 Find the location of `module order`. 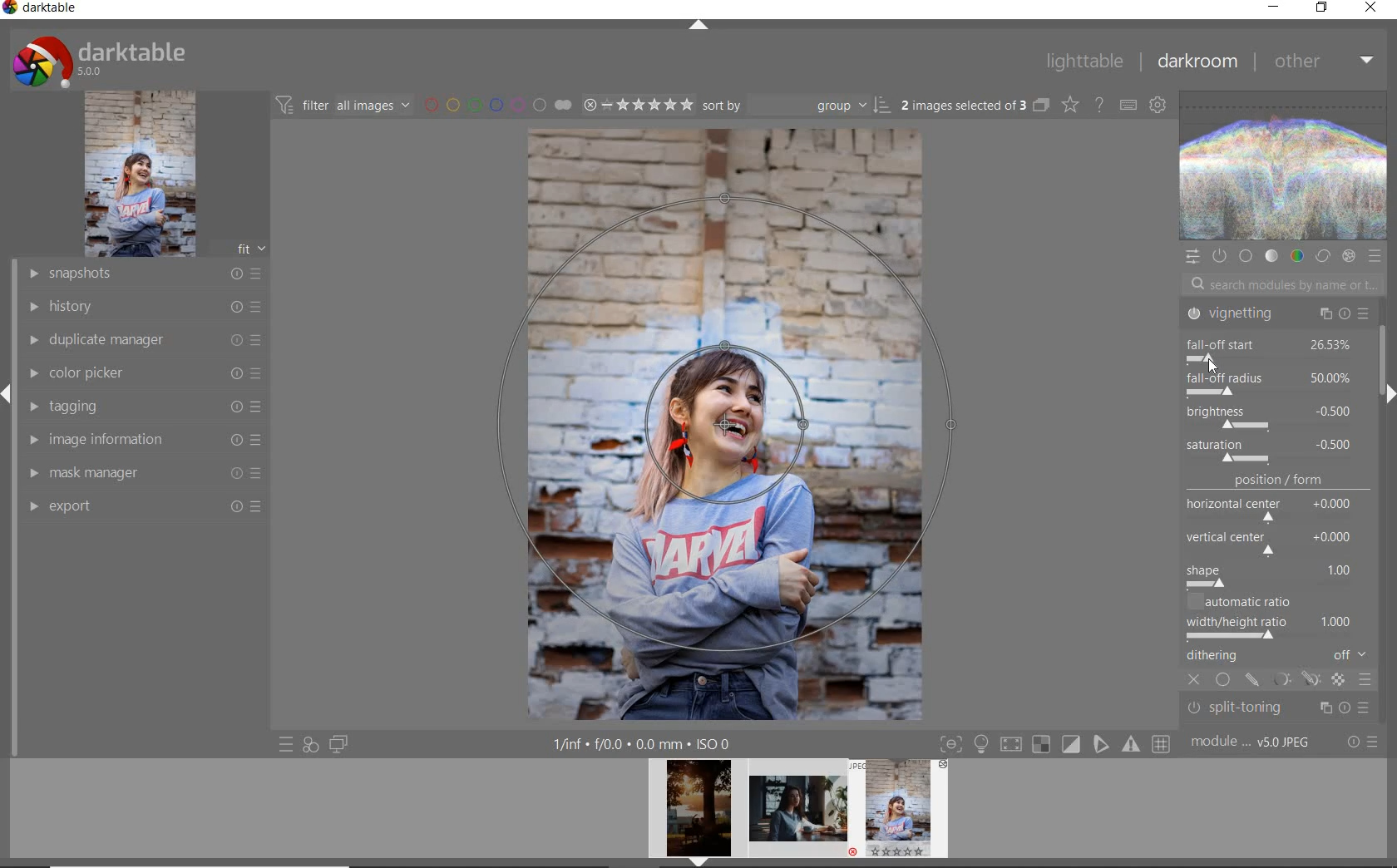

module order is located at coordinates (1252, 742).